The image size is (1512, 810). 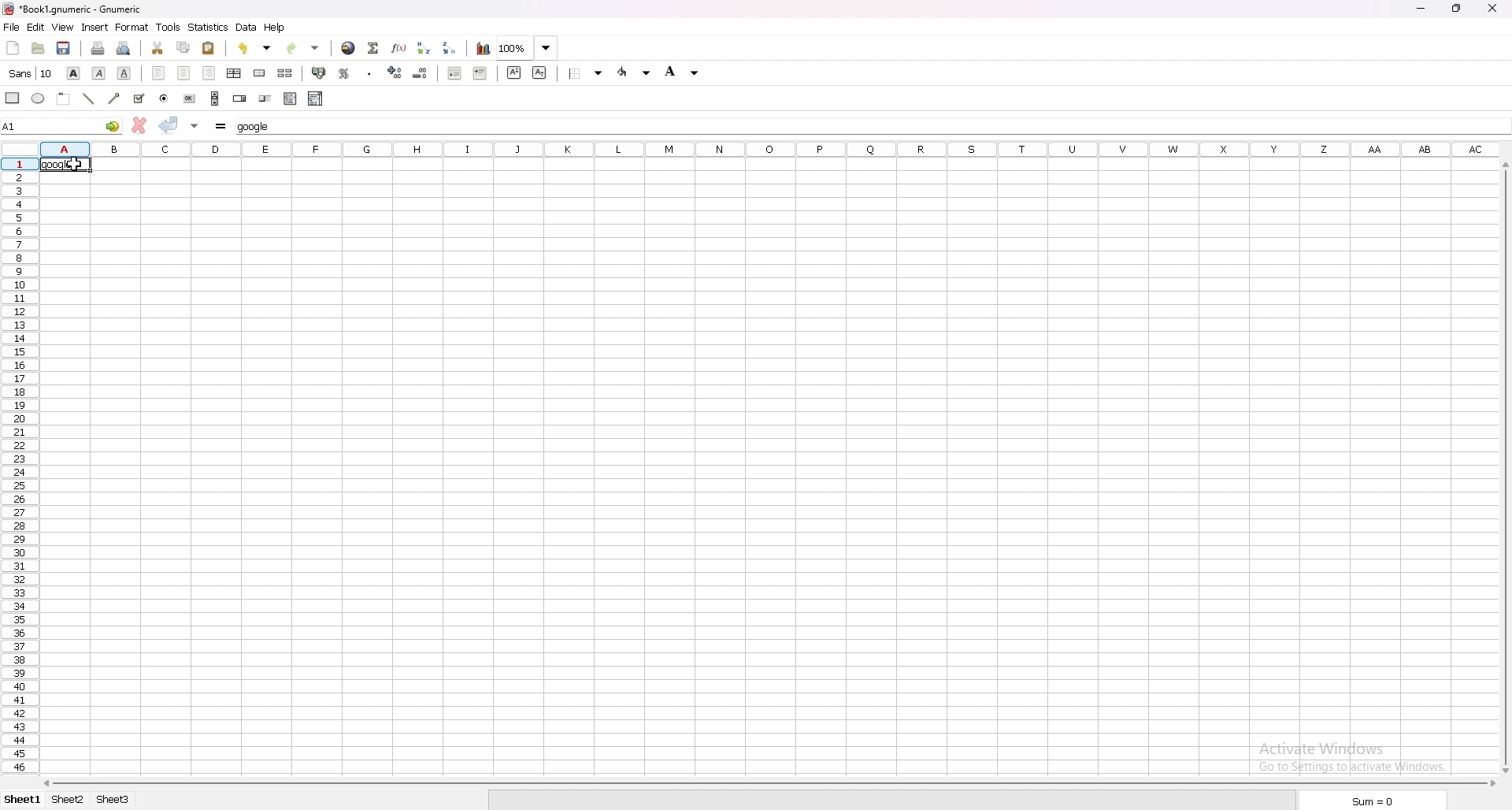 I want to click on accounting, so click(x=320, y=72).